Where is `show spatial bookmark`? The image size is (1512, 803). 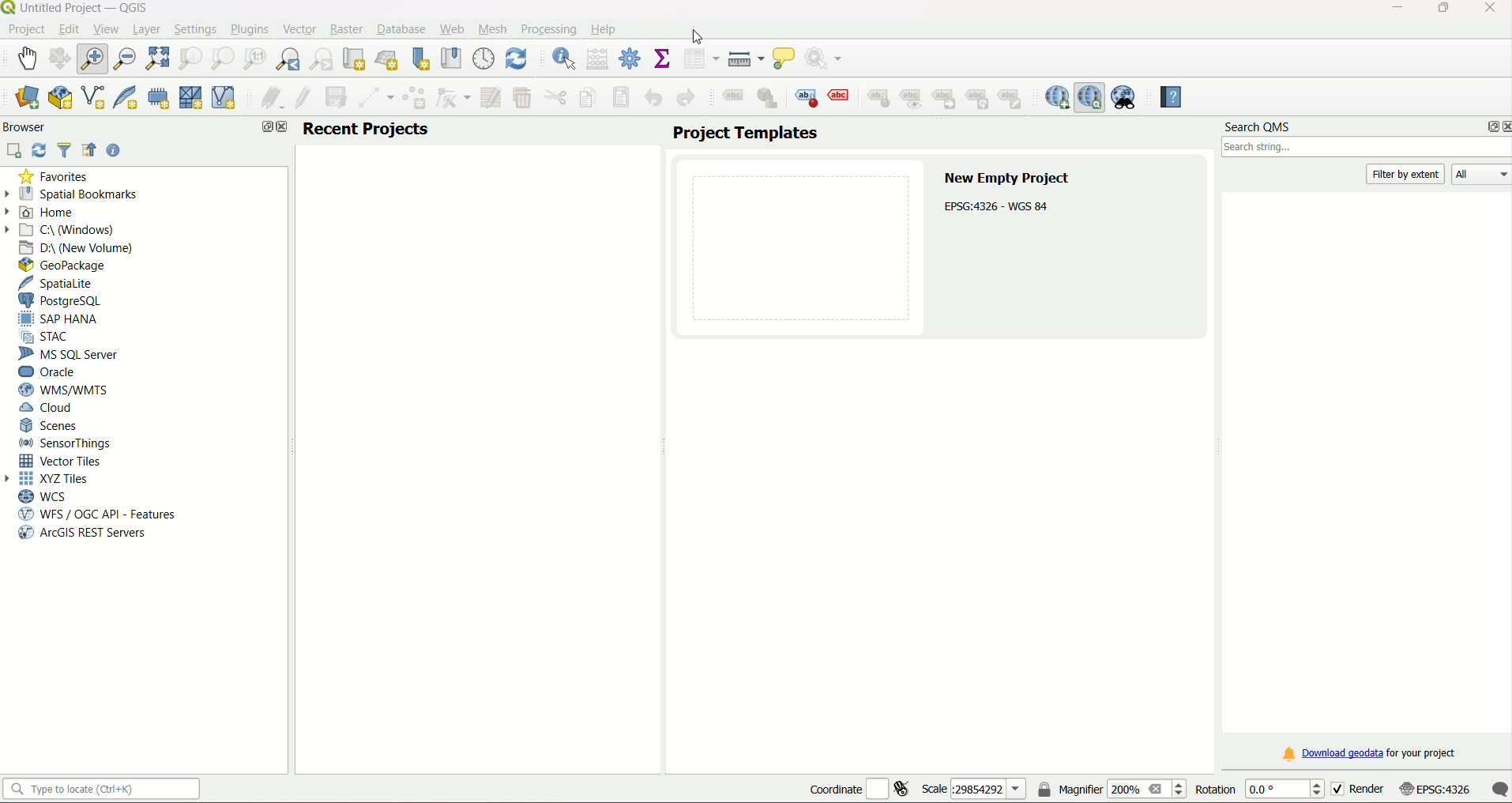 show spatial bookmark is located at coordinates (450, 58).